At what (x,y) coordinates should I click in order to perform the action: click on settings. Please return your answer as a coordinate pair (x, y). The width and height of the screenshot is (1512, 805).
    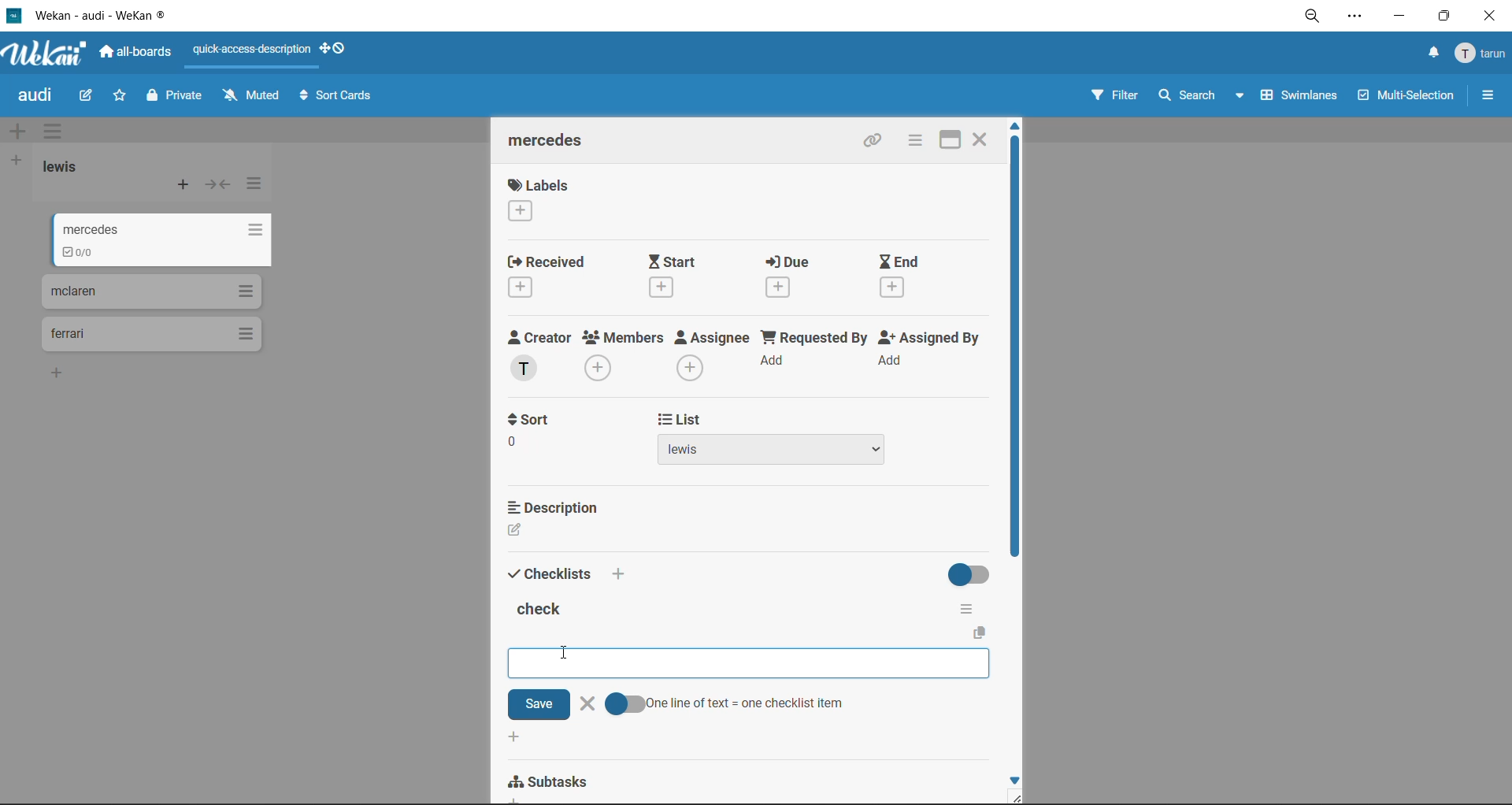
    Looking at the image, I should click on (1358, 19).